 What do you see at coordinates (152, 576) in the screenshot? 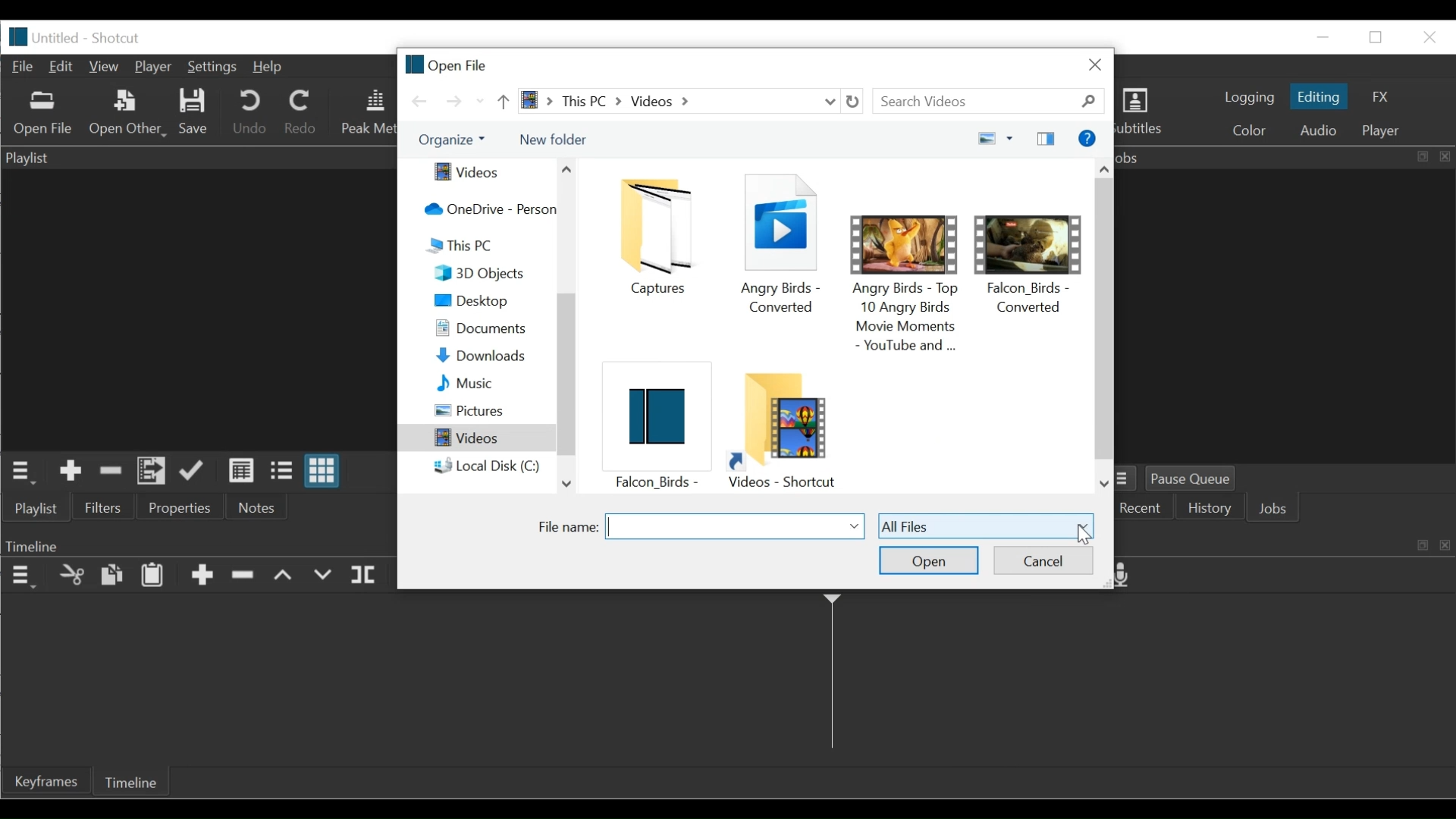
I see `Paste` at bounding box center [152, 576].